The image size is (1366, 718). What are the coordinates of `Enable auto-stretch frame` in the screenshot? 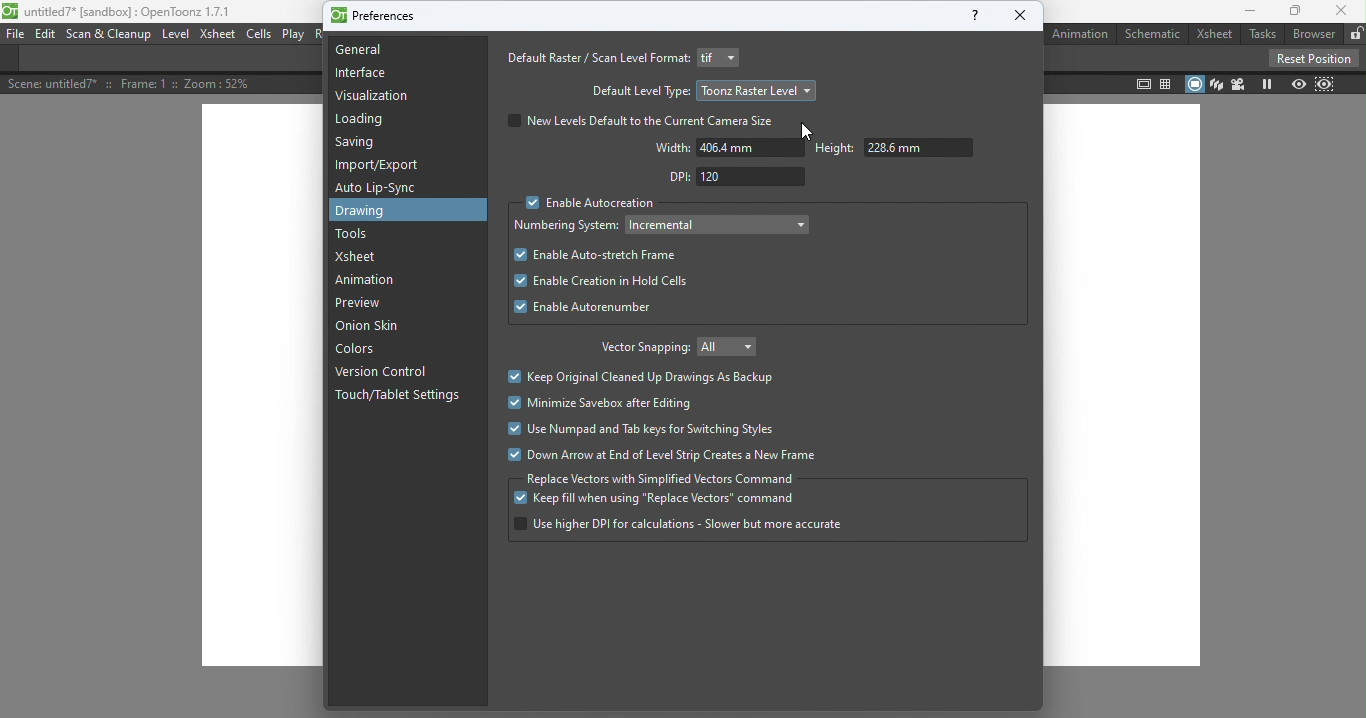 It's located at (597, 255).